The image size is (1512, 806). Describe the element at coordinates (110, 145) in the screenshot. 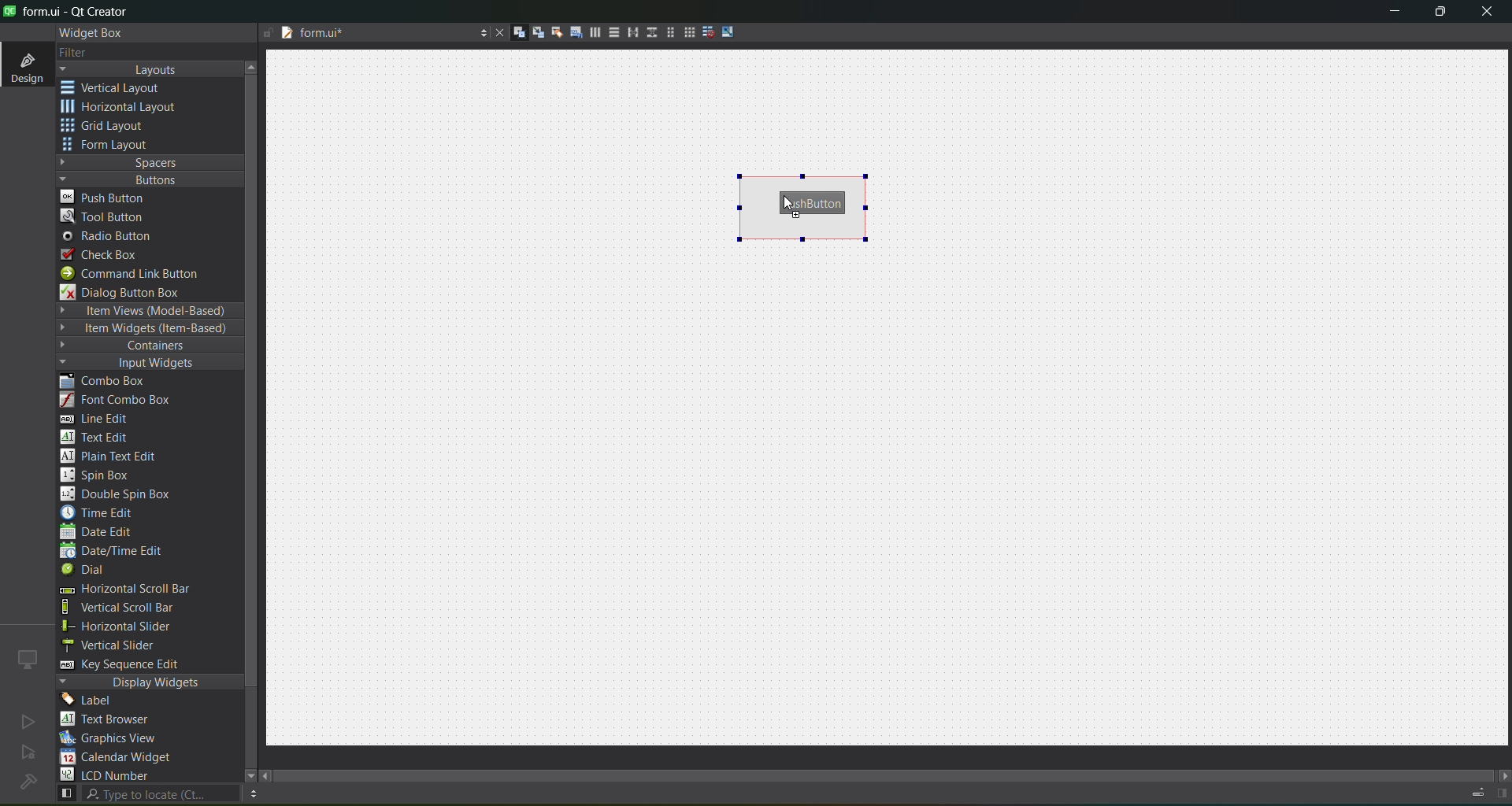

I see `form` at that location.